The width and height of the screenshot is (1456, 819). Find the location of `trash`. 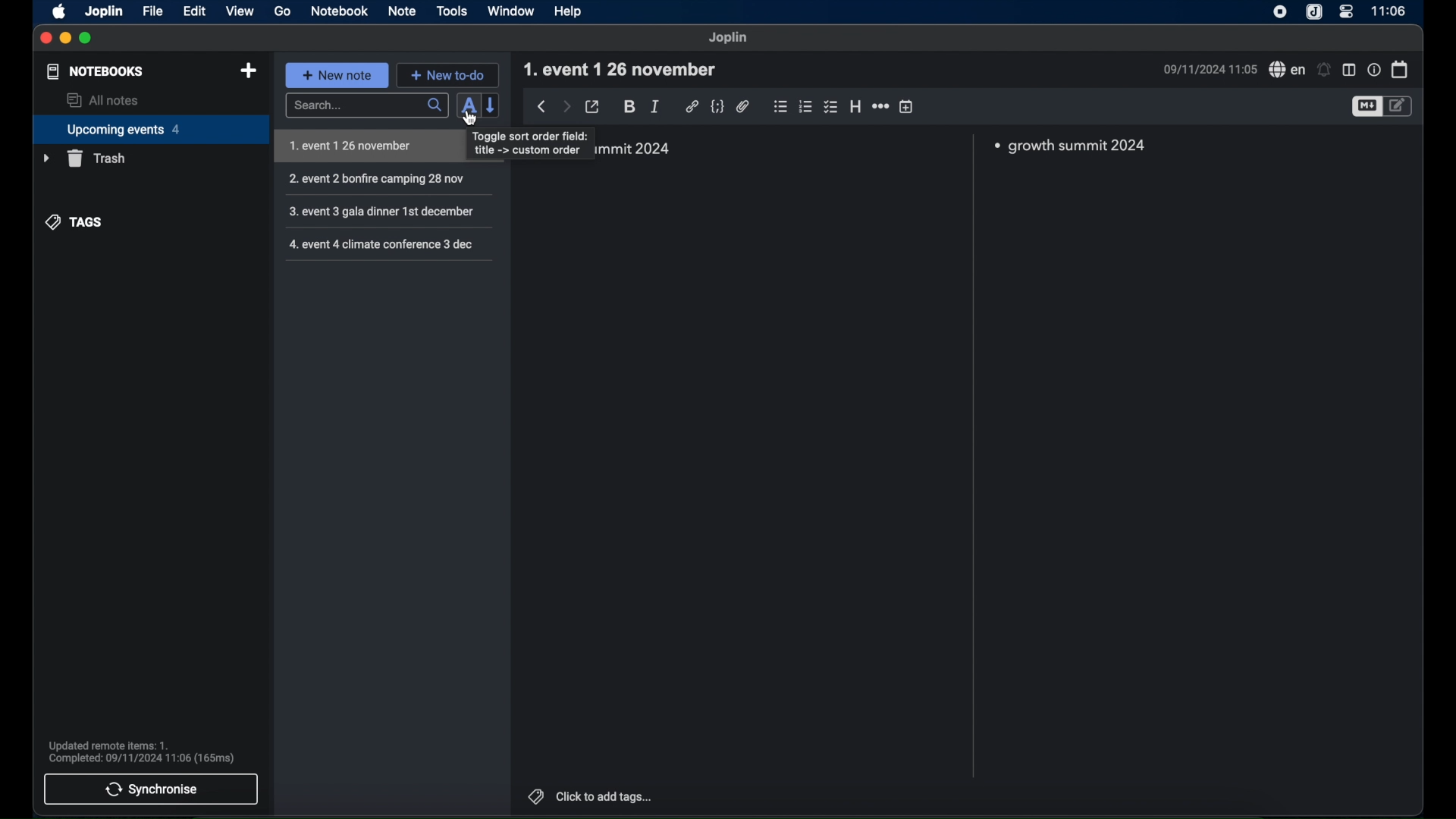

trash is located at coordinates (84, 158).